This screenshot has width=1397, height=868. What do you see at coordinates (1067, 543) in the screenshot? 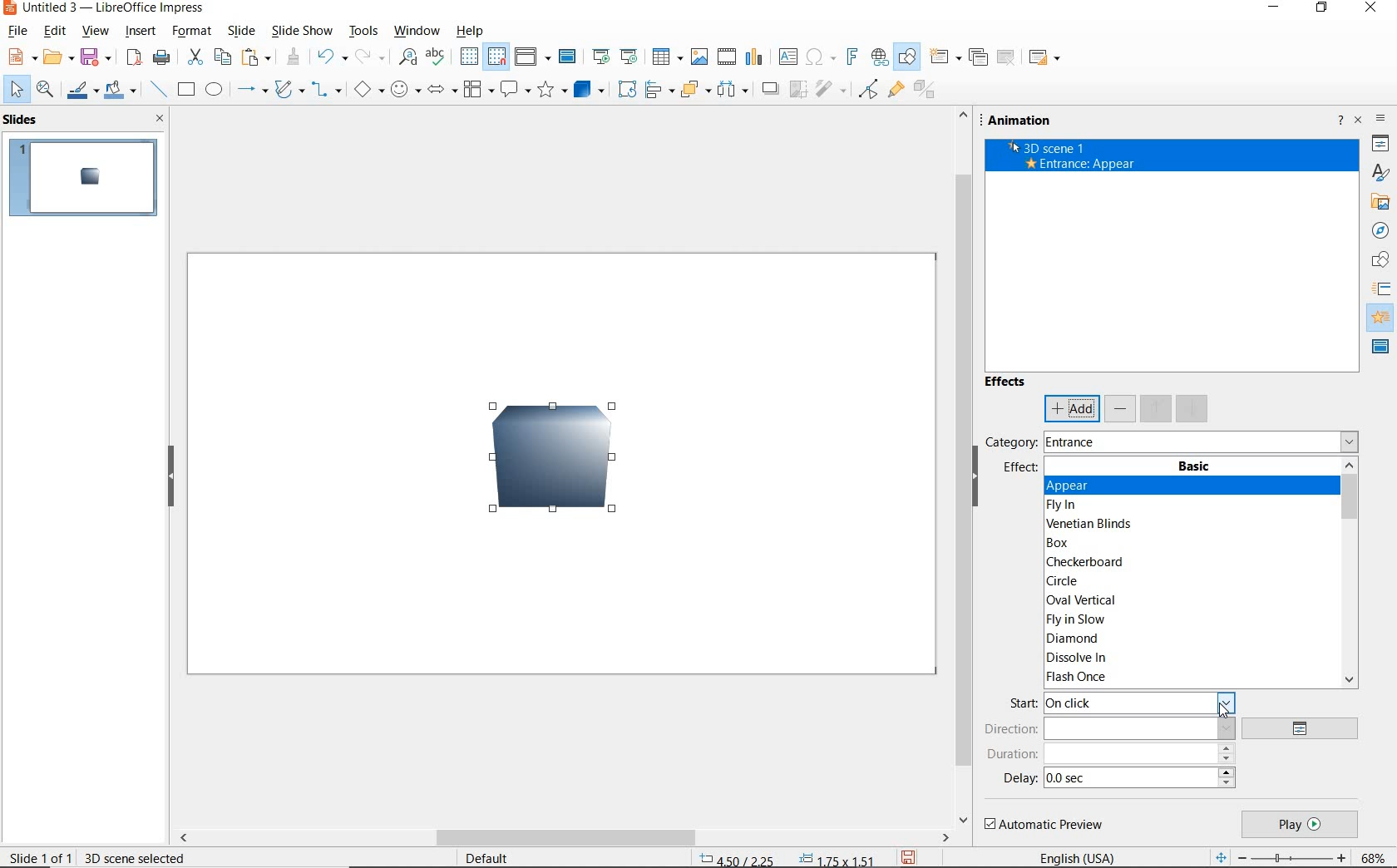
I see `BOX` at bounding box center [1067, 543].